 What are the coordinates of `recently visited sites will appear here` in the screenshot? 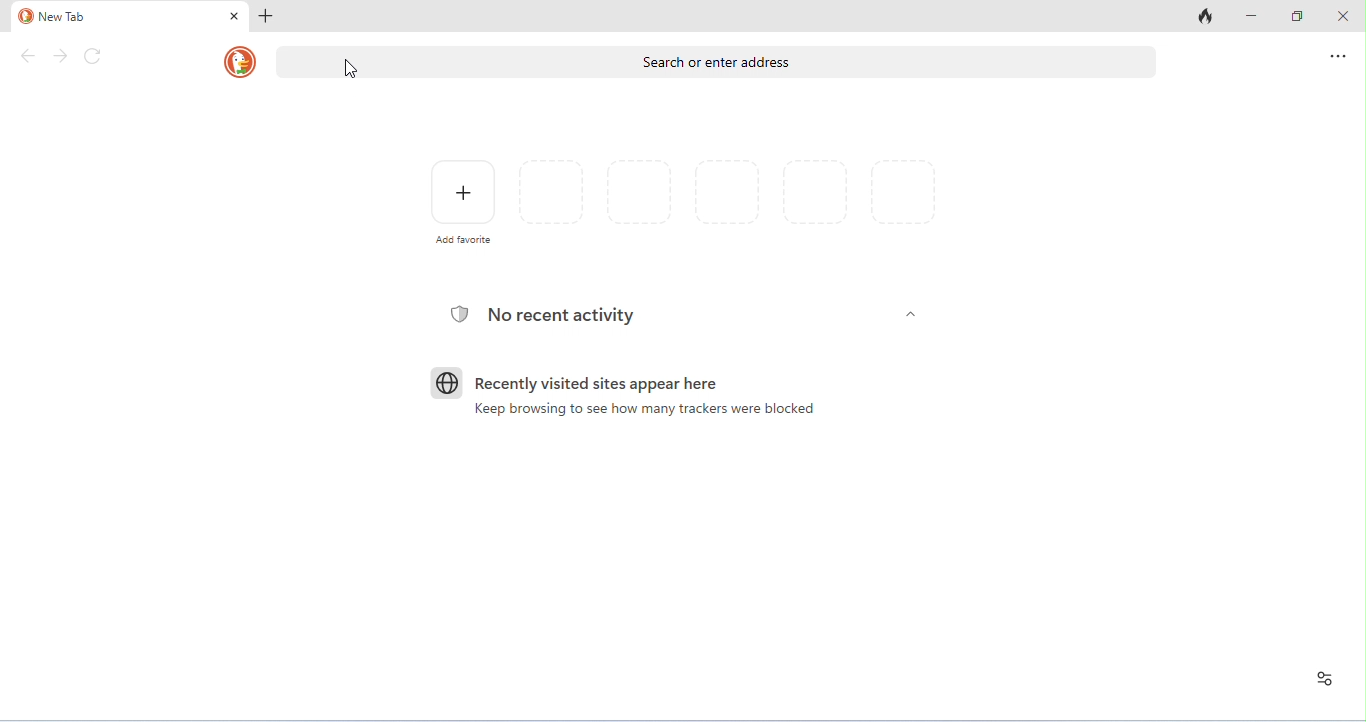 It's located at (597, 384).